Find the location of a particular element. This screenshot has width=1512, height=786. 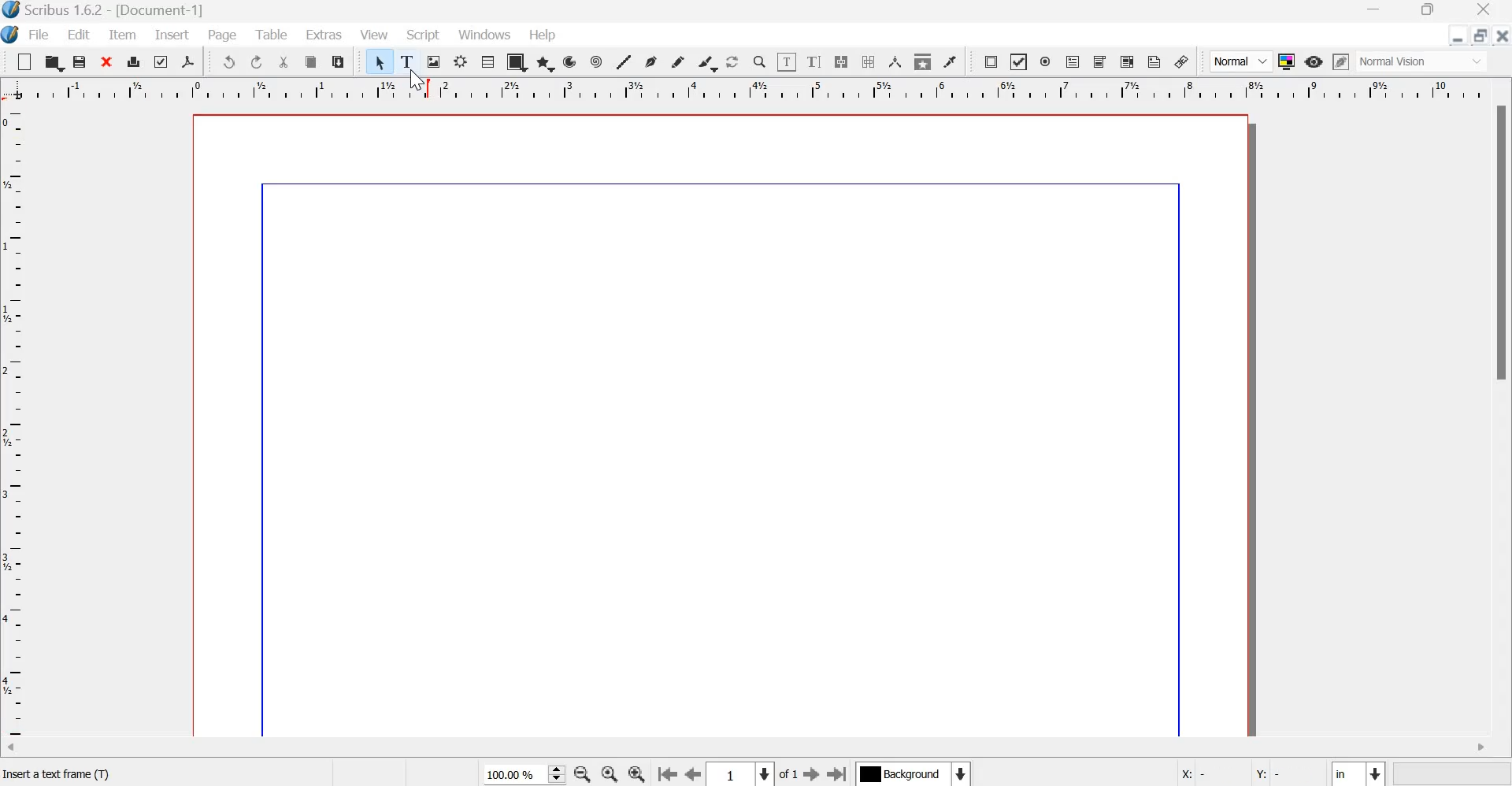

Table is located at coordinates (487, 61).